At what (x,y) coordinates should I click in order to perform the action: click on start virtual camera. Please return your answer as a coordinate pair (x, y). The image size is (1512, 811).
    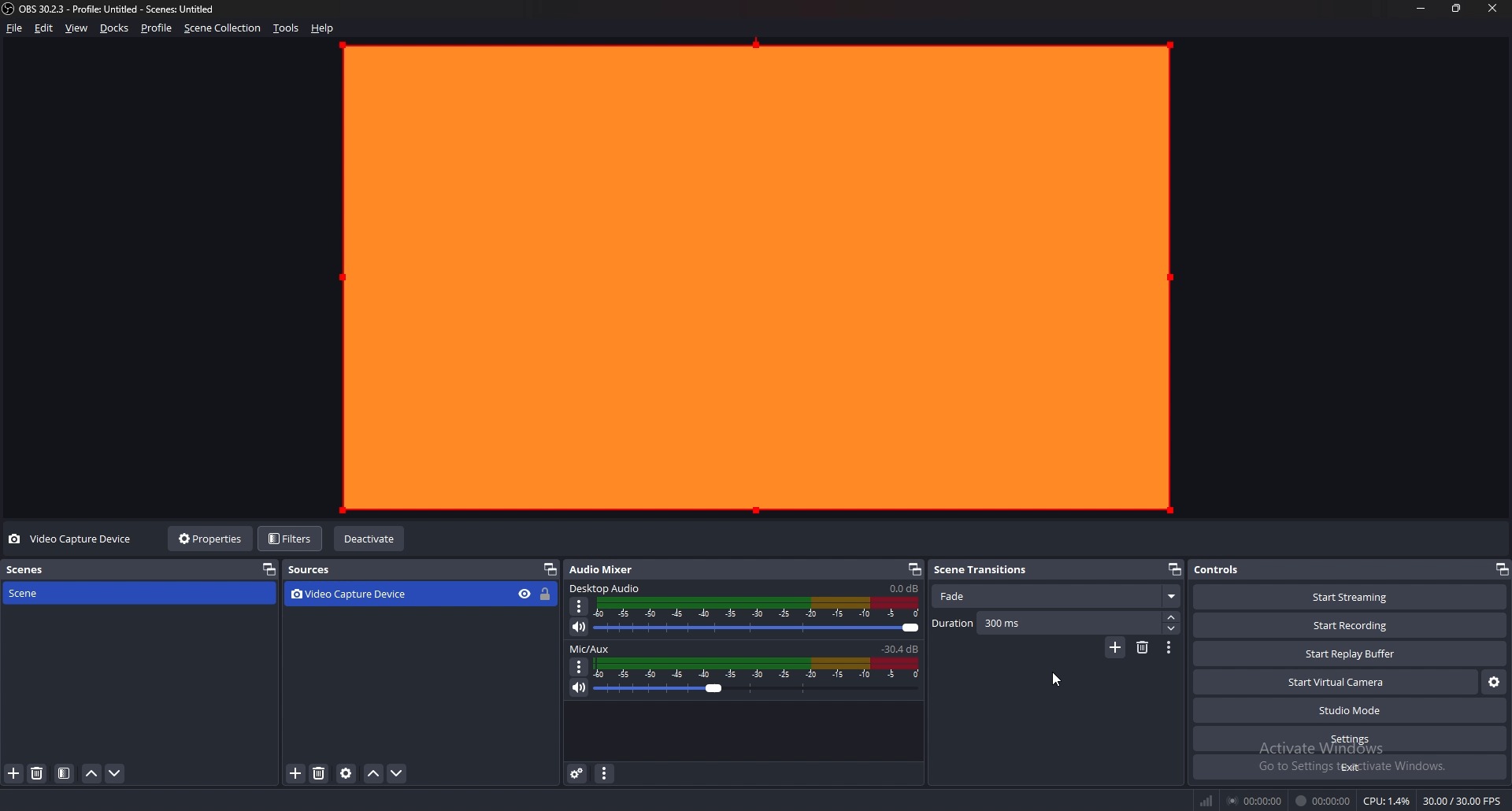
    Looking at the image, I should click on (1336, 682).